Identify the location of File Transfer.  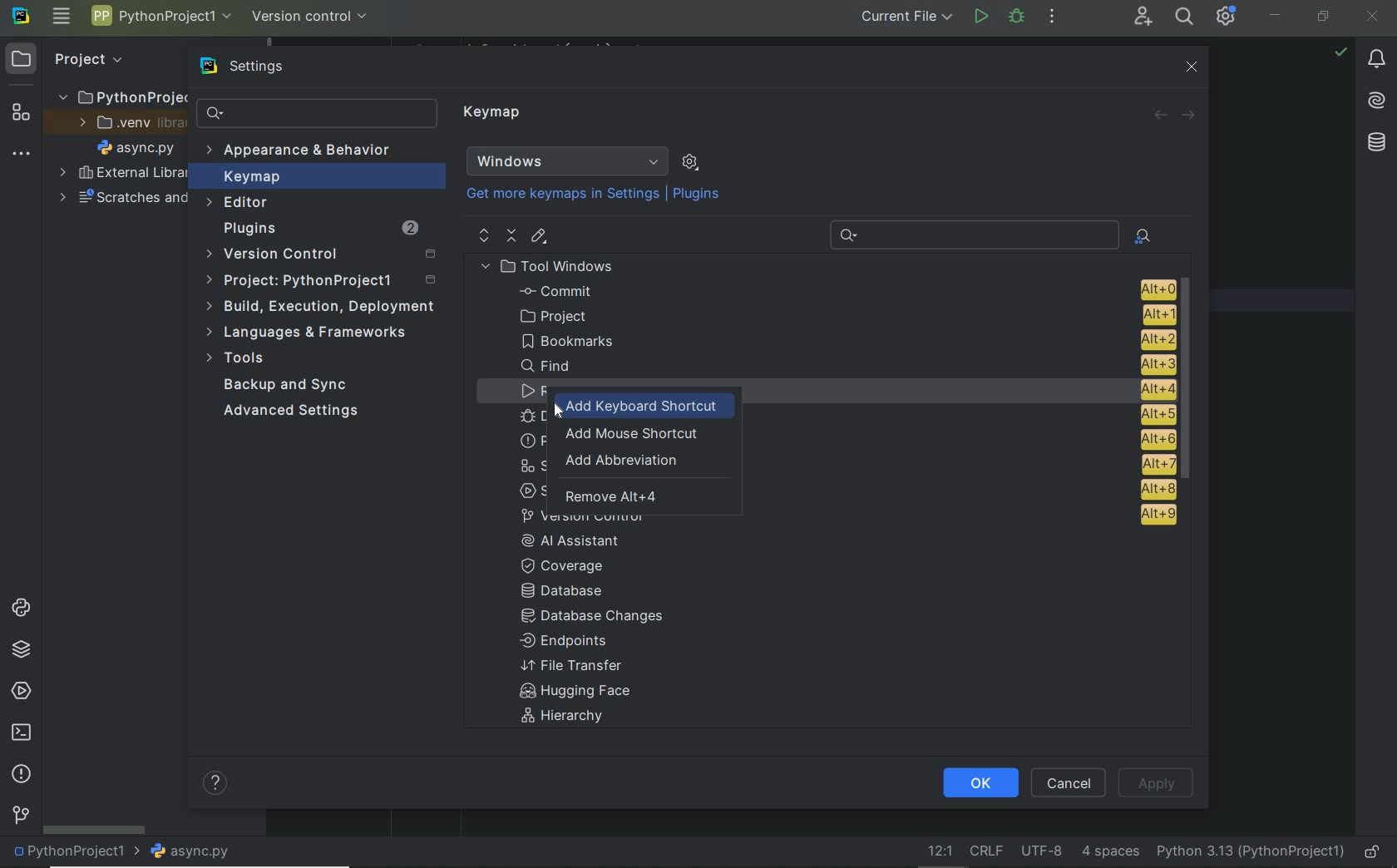
(572, 666).